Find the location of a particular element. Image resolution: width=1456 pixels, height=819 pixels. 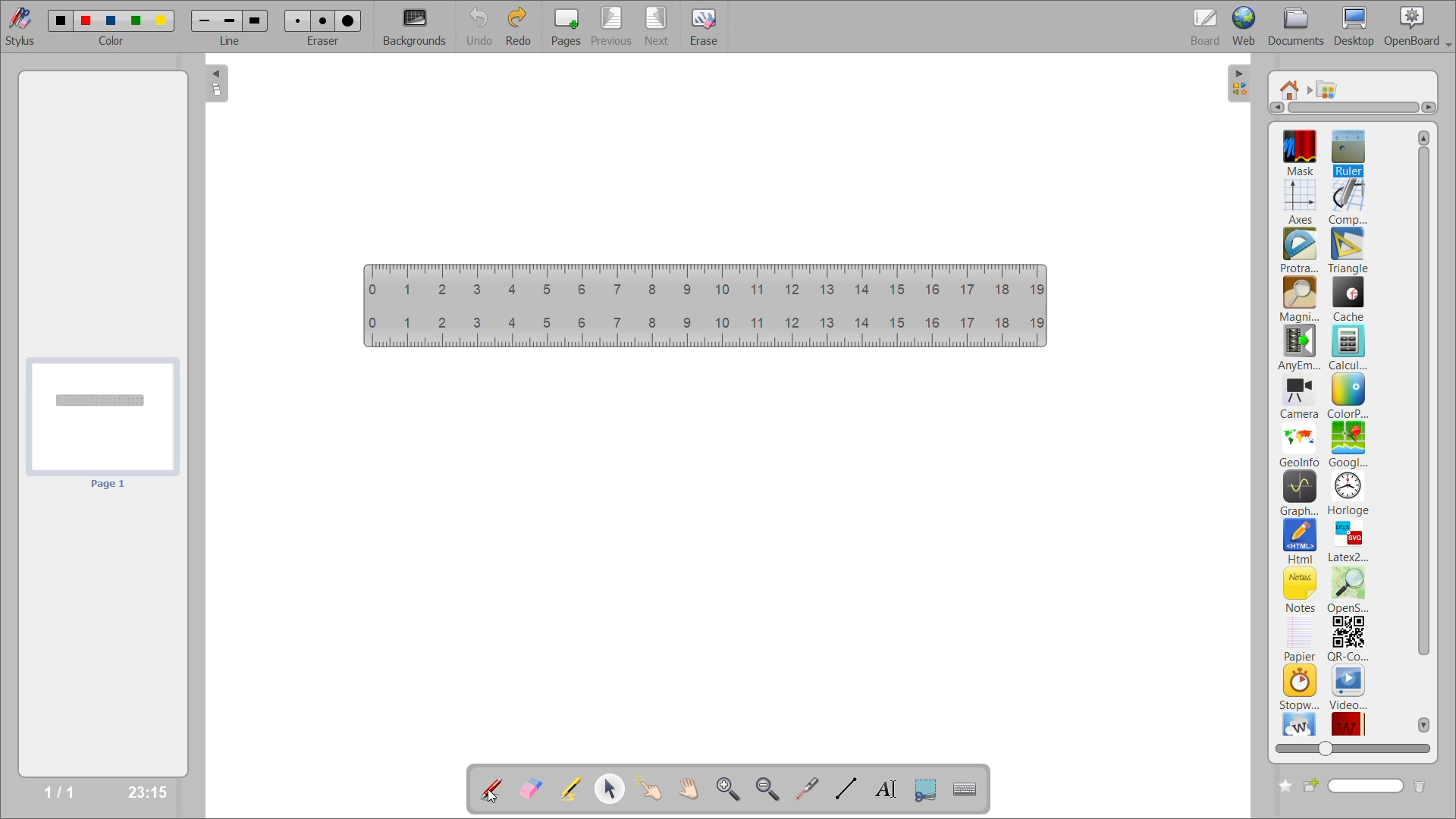

line 2 is located at coordinates (228, 20).